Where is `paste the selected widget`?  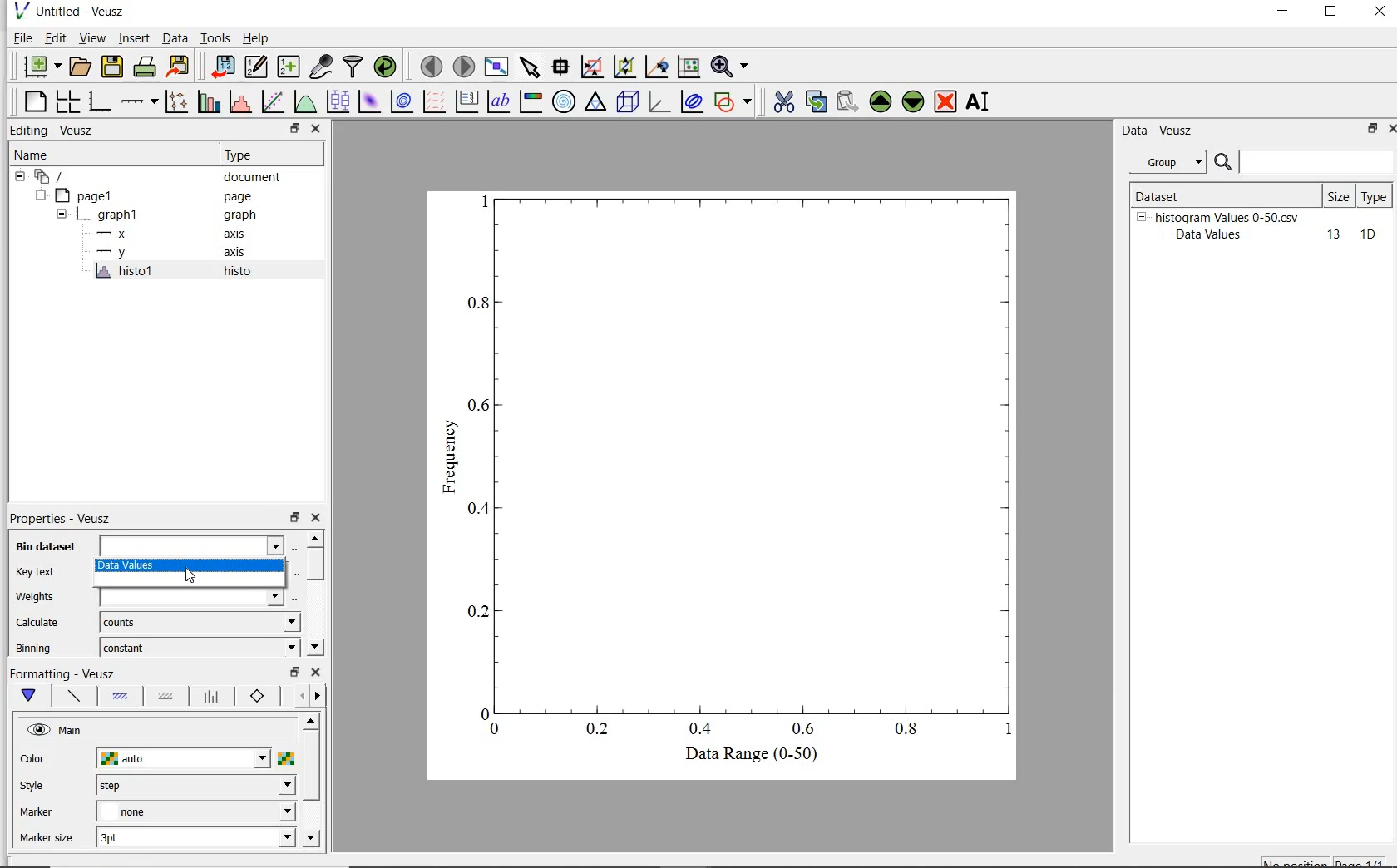
paste the selected widget is located at coordinates (847, 103).